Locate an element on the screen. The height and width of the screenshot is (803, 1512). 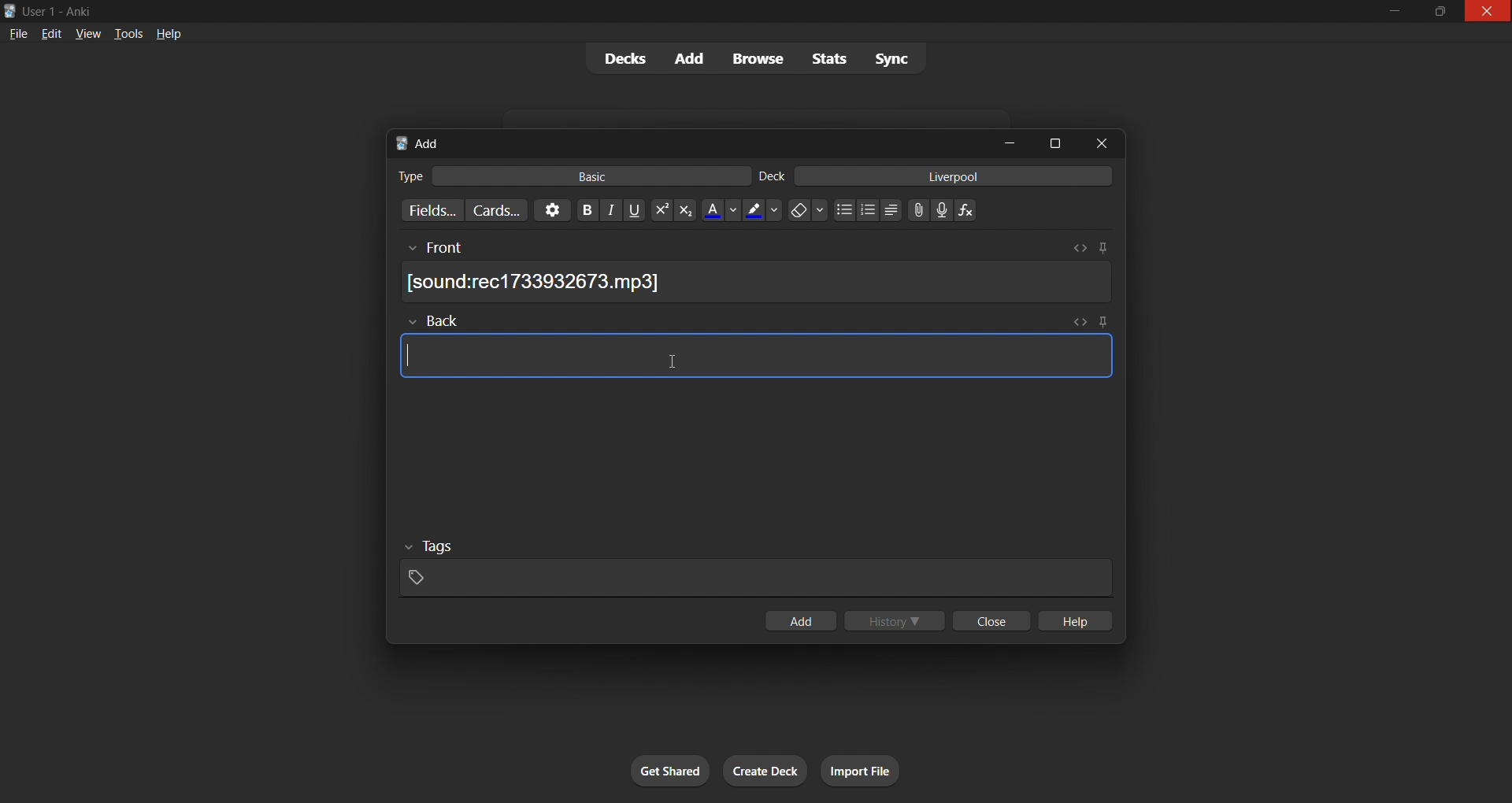
front input field is located at coordinates (754, 245).